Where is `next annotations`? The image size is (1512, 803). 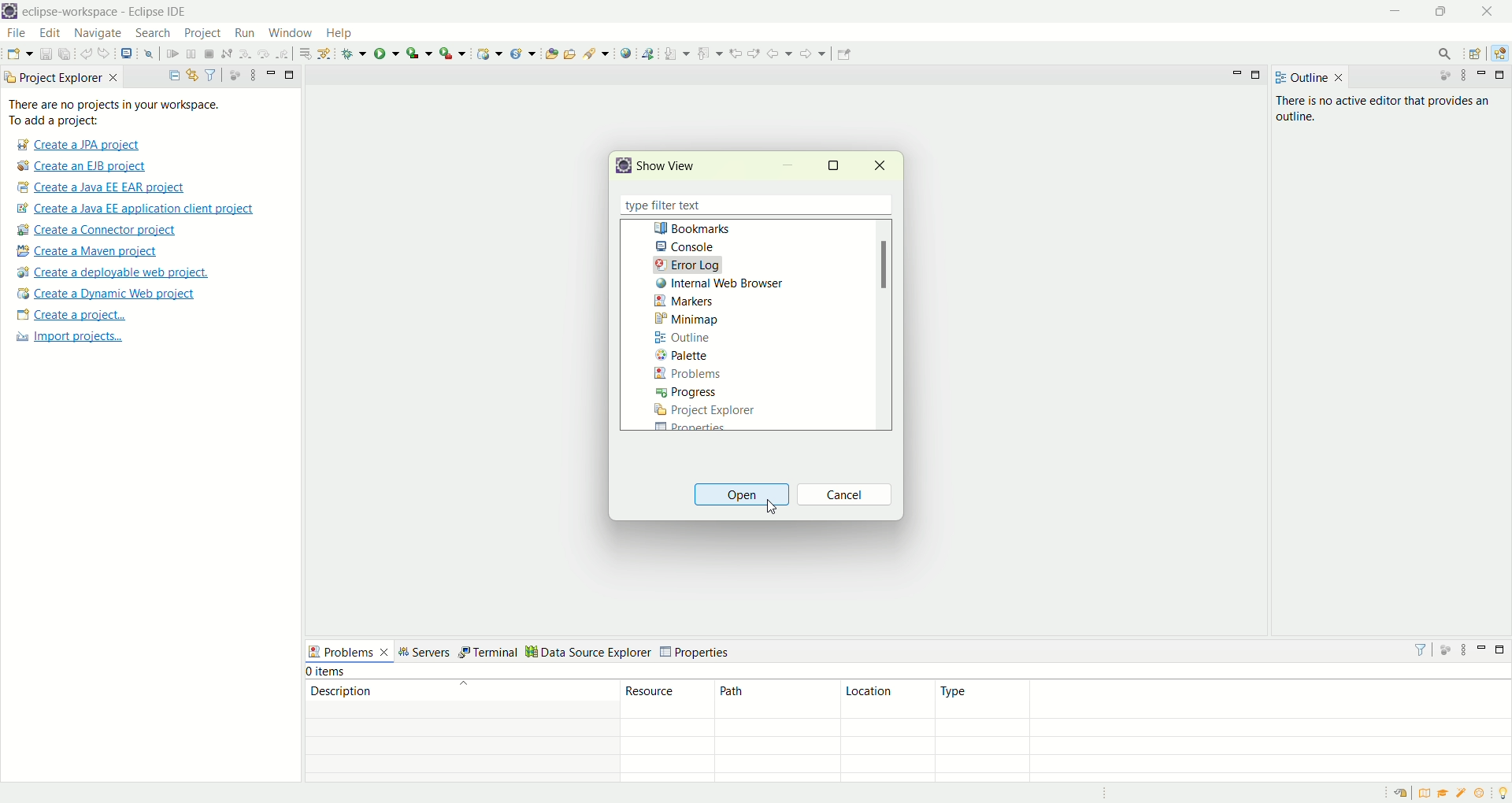
next annotations is located at coordinates (676, 53).